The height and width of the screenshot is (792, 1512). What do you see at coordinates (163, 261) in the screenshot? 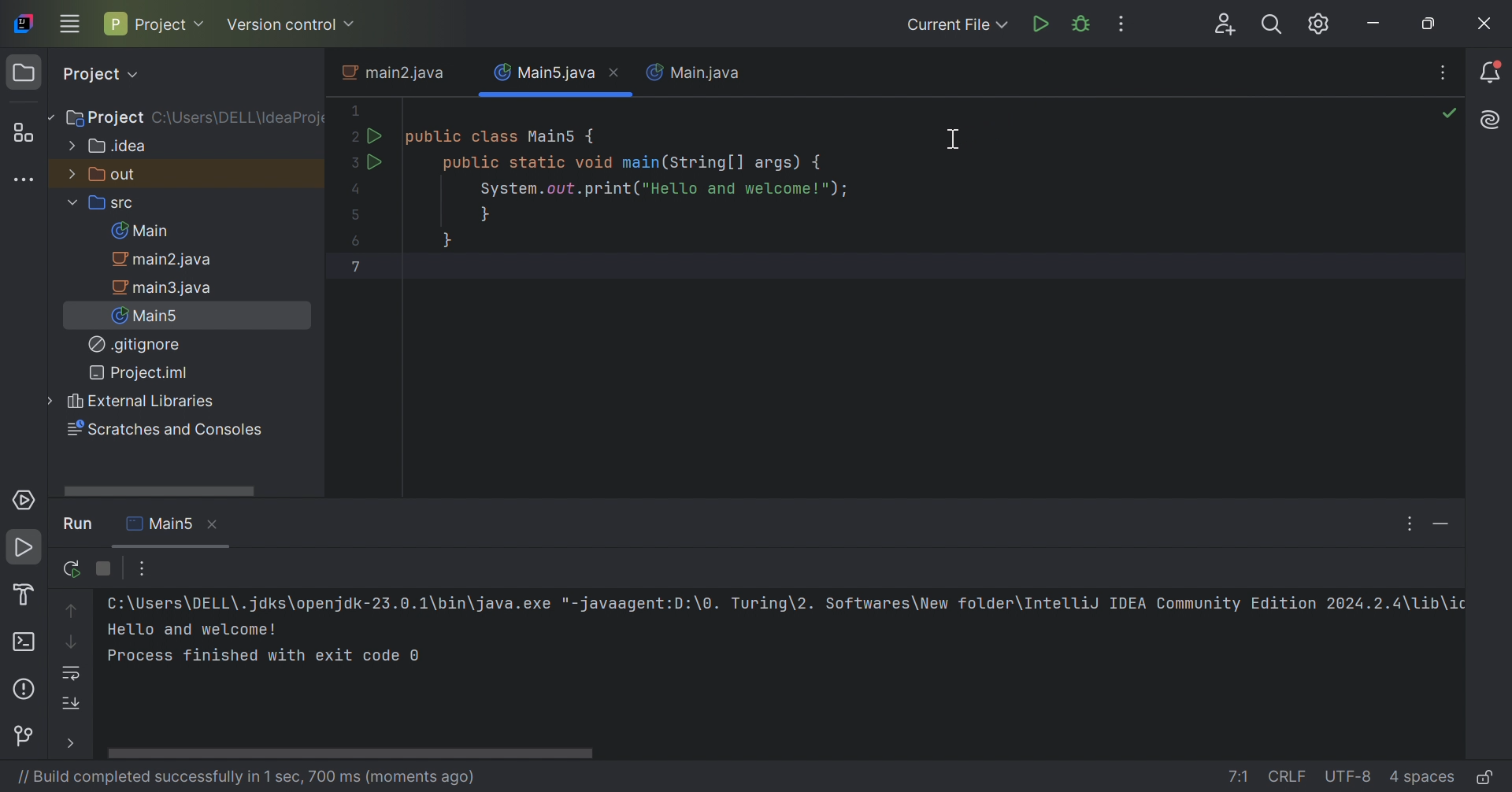
I see `main2.java` at bounding box center [163, 261].